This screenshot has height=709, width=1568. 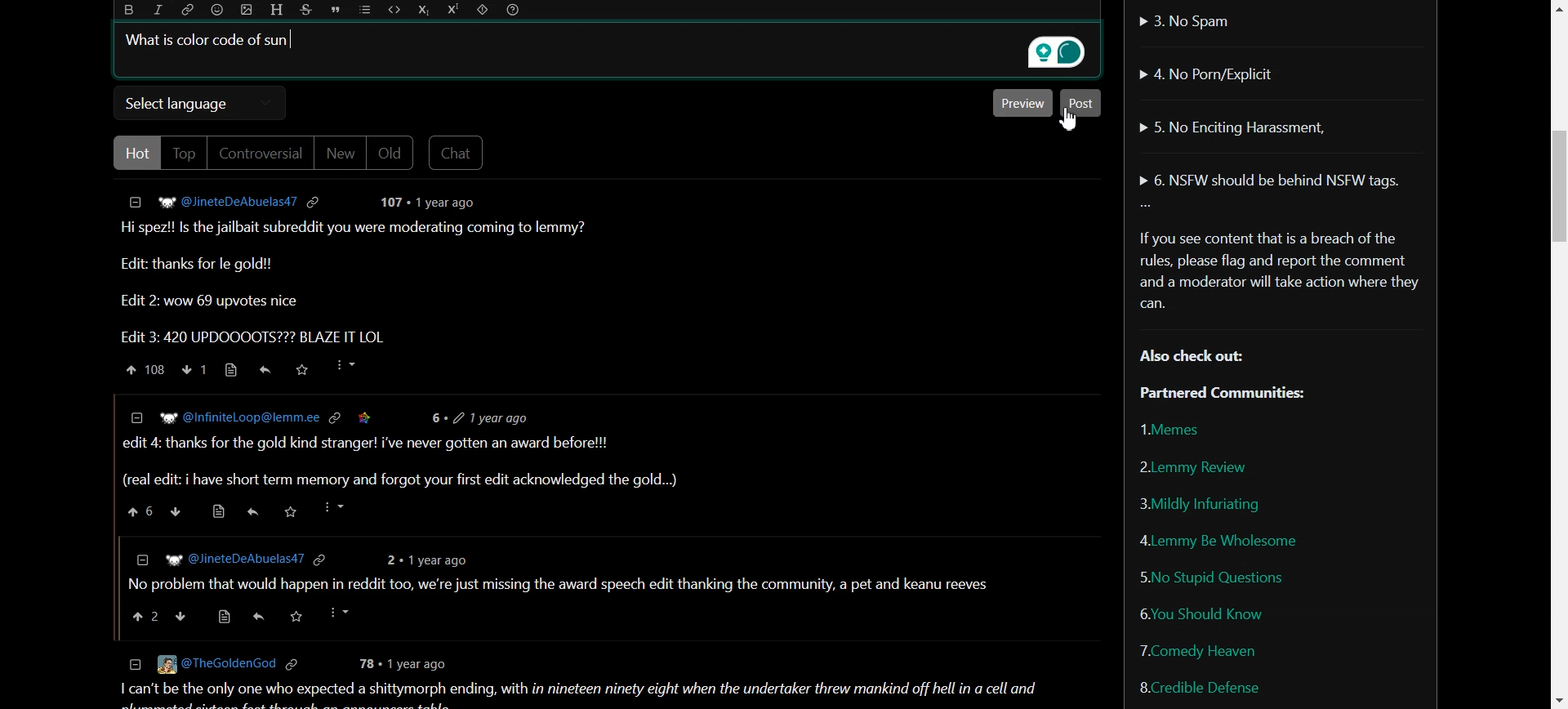 What do you see at coordinates (1201, 467) in the screenshot?
I see `Lemmy Review` at bounding box center [1201, 467].